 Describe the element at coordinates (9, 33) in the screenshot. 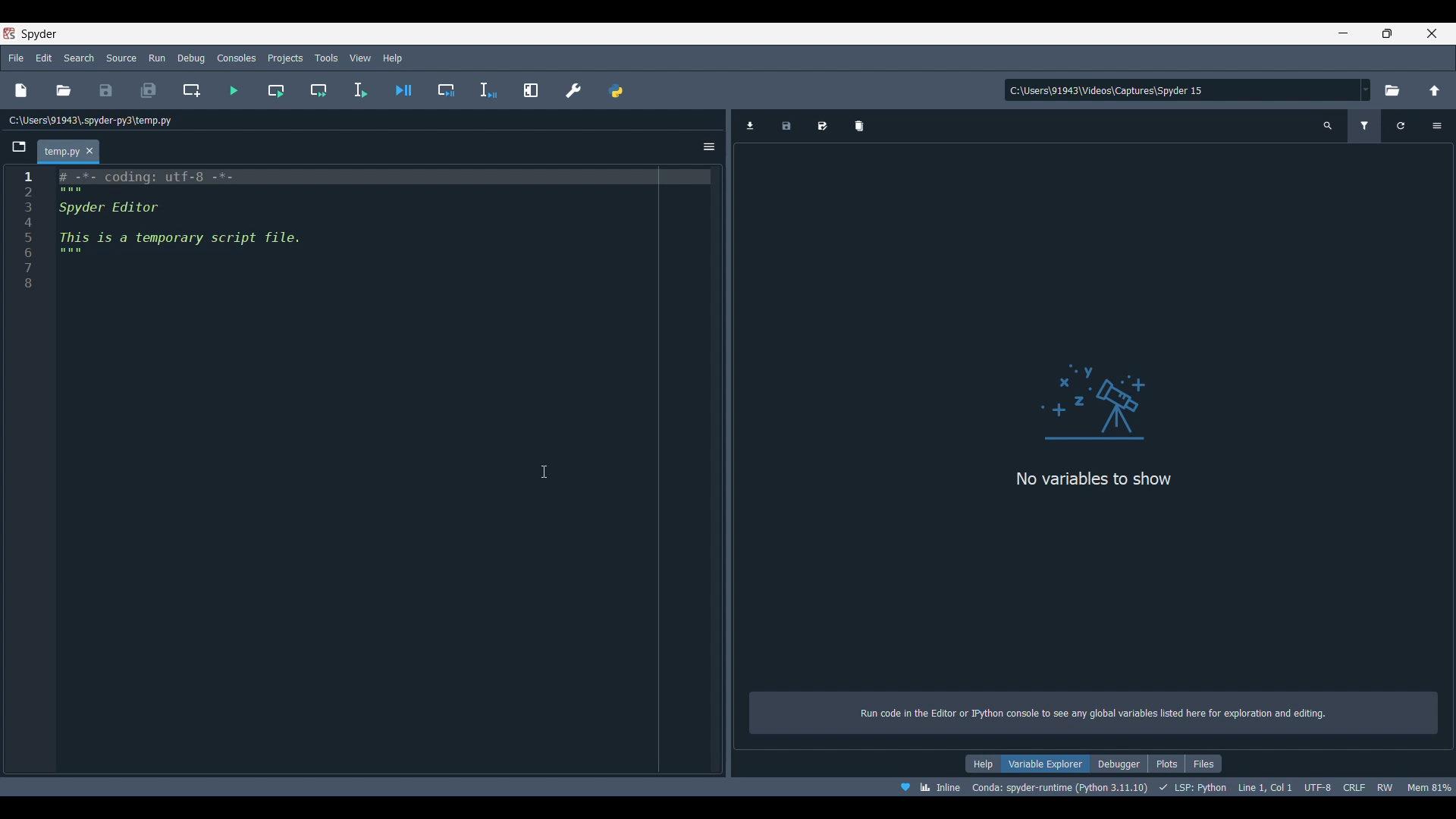

I see `Software logo` at that location.